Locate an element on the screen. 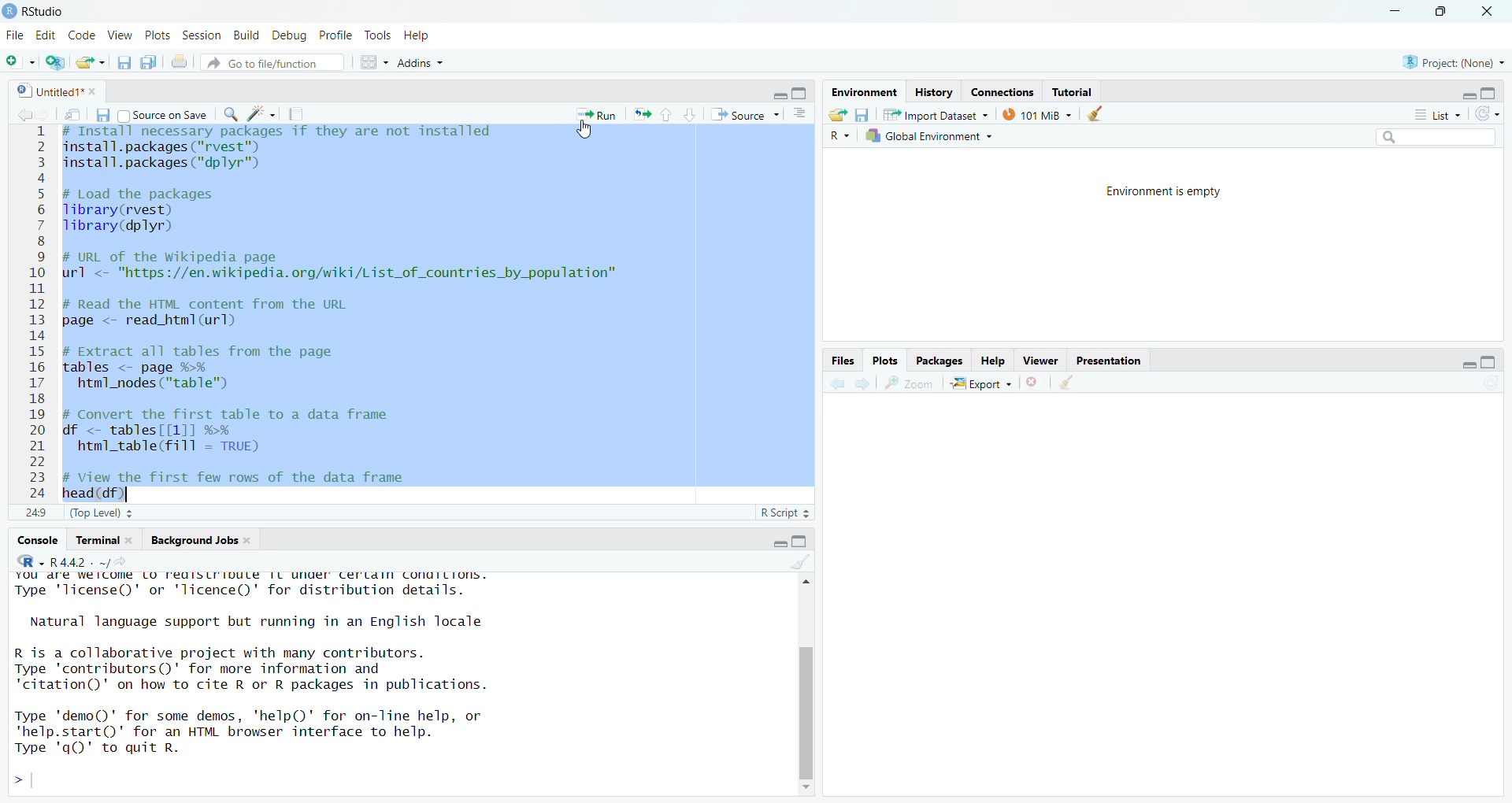  resize is located at coordinates (1440, 12).